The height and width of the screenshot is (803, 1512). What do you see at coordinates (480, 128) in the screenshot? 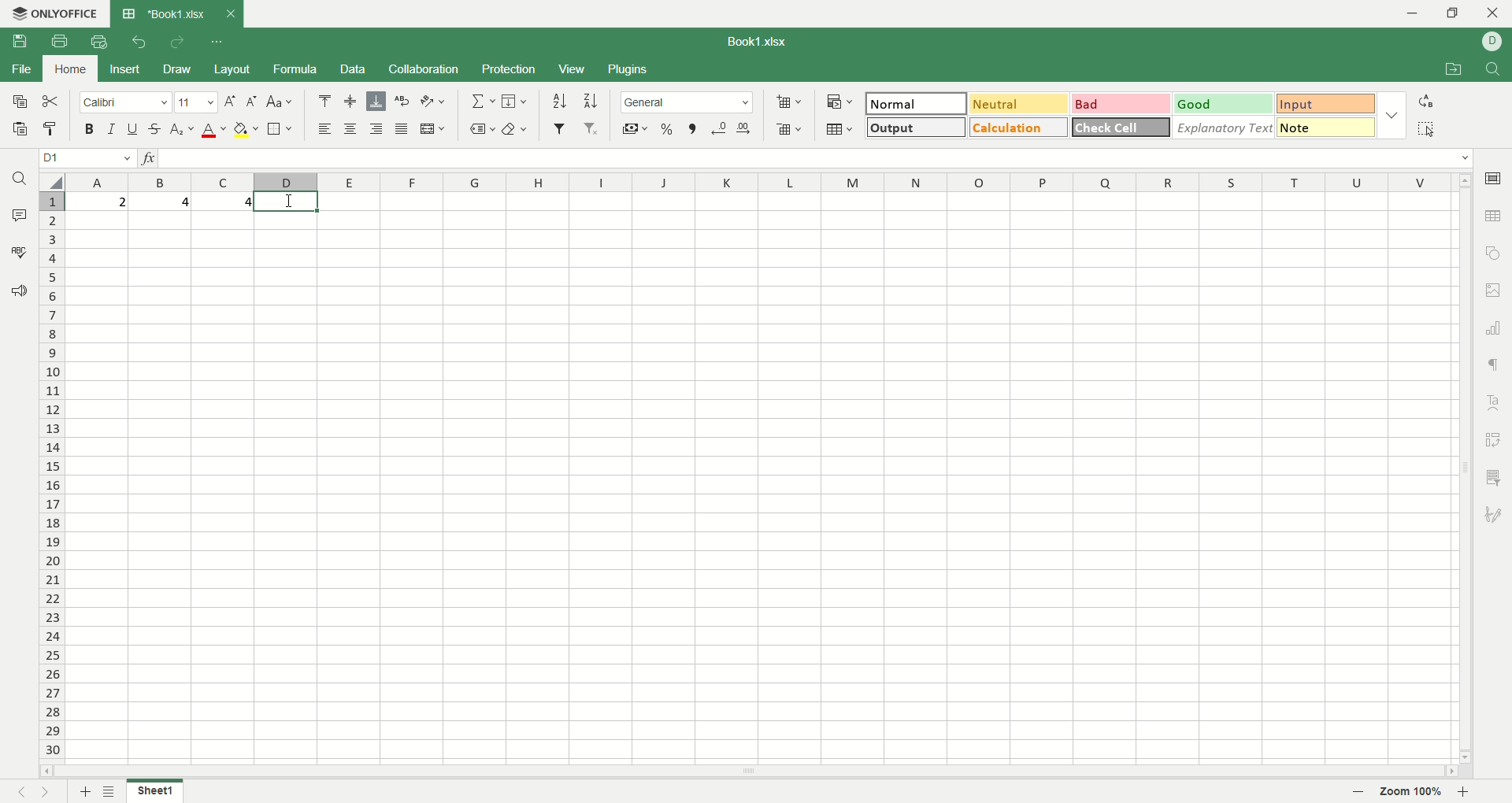
I see `named ranges` at bounding box center [480, 128].